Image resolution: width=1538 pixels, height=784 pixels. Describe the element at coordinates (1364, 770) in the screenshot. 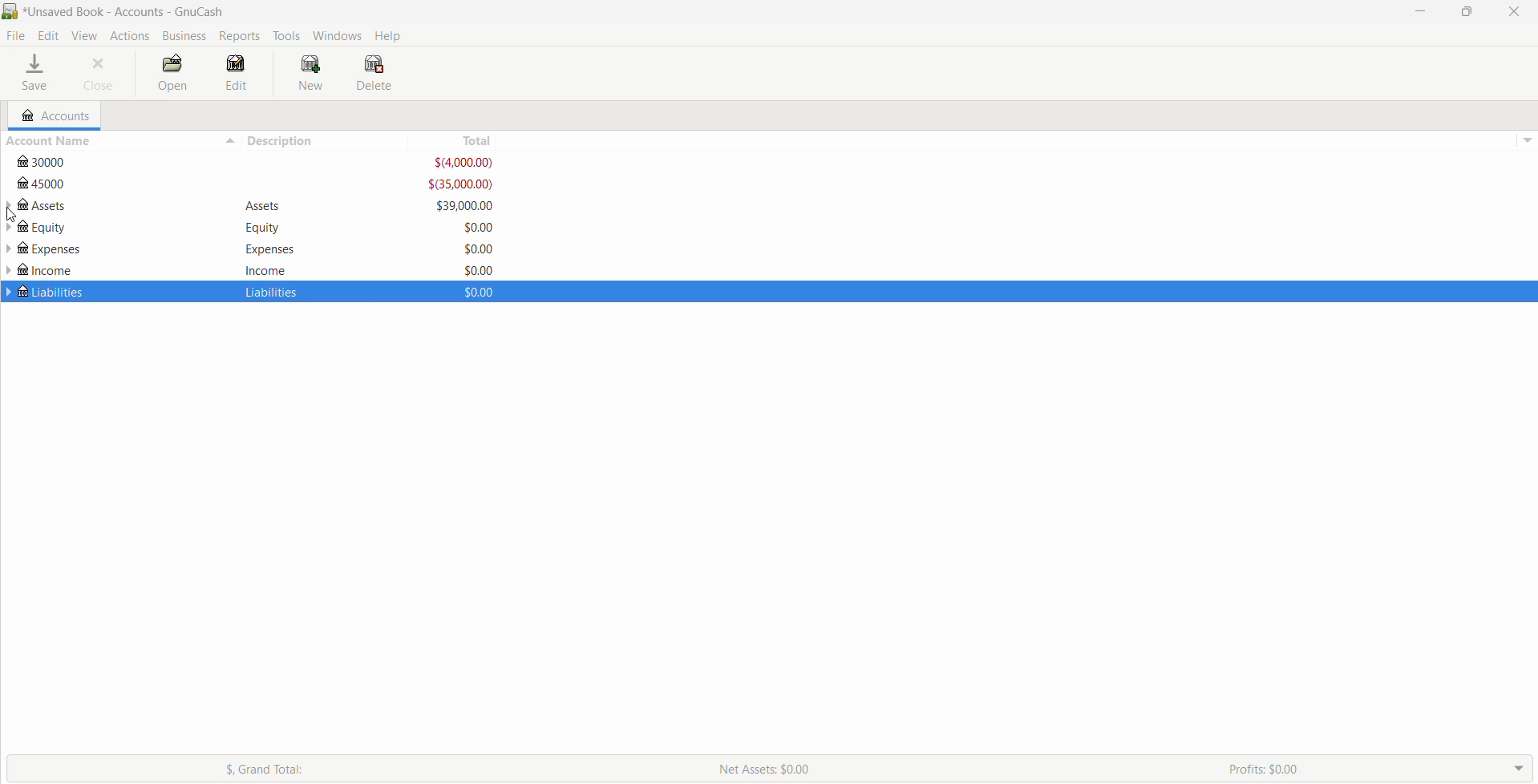

I see `Profit` at that location.